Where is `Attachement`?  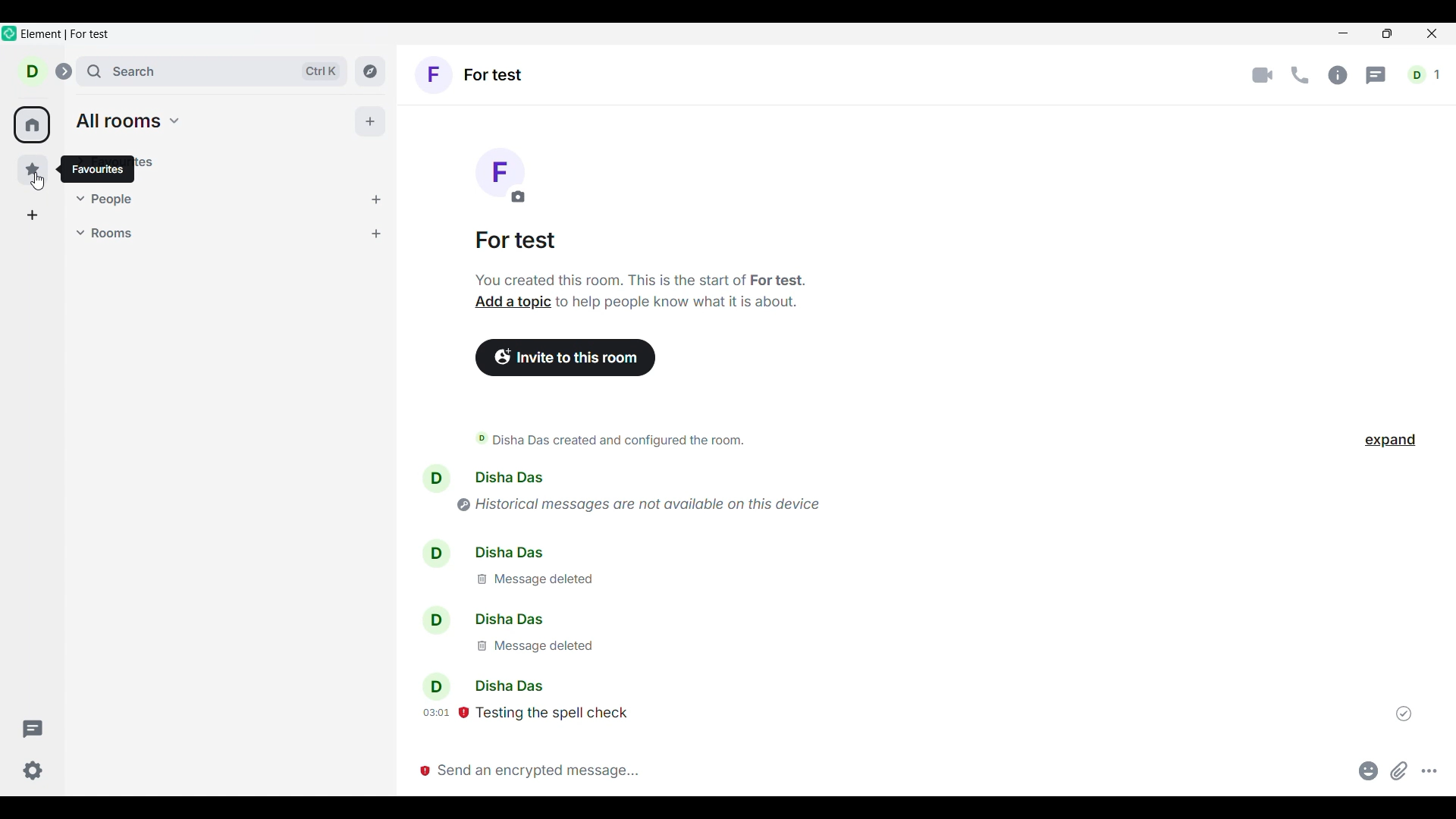 Attachement is located at coordinates (1399, 770).